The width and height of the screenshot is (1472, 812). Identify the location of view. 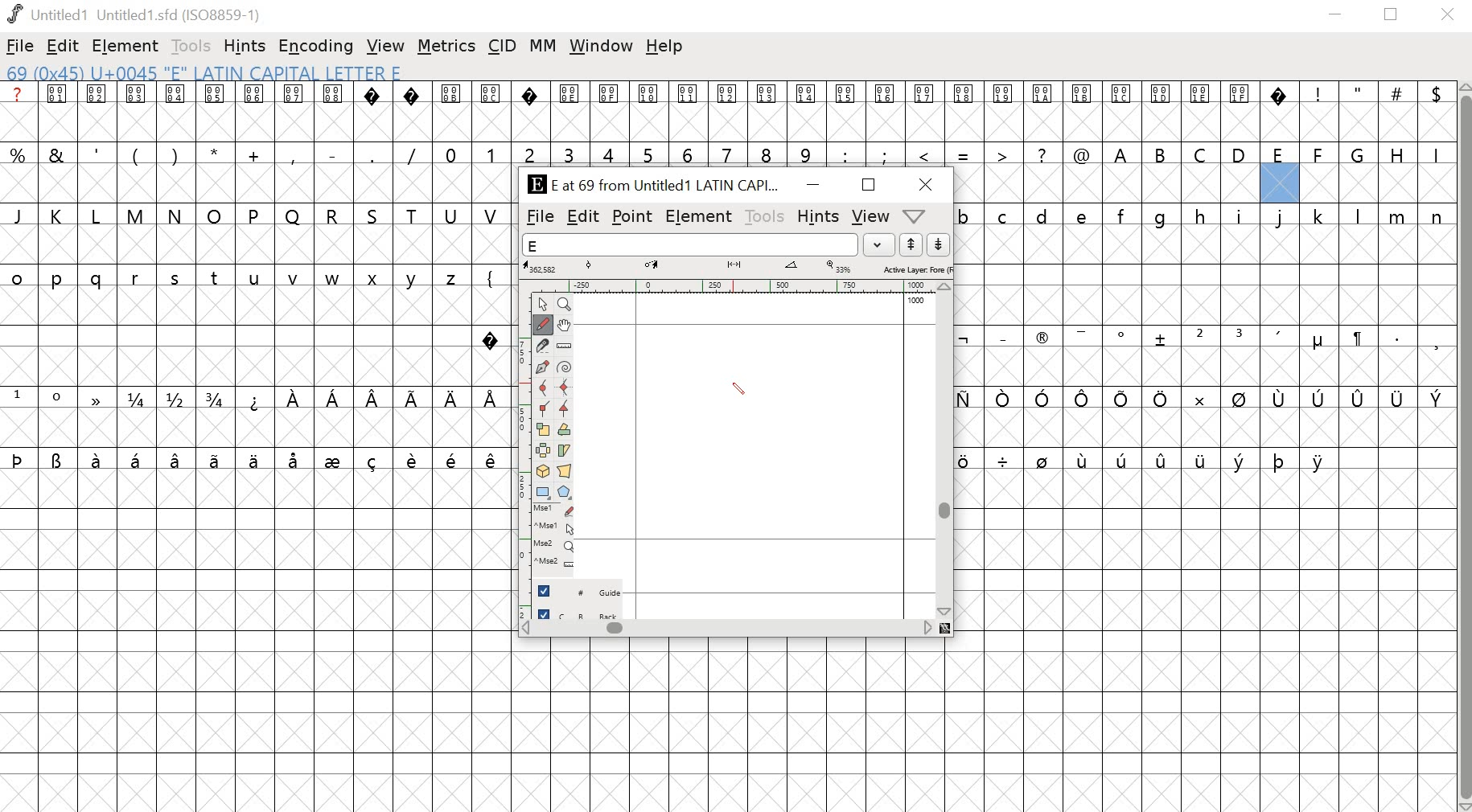
(869, 217).